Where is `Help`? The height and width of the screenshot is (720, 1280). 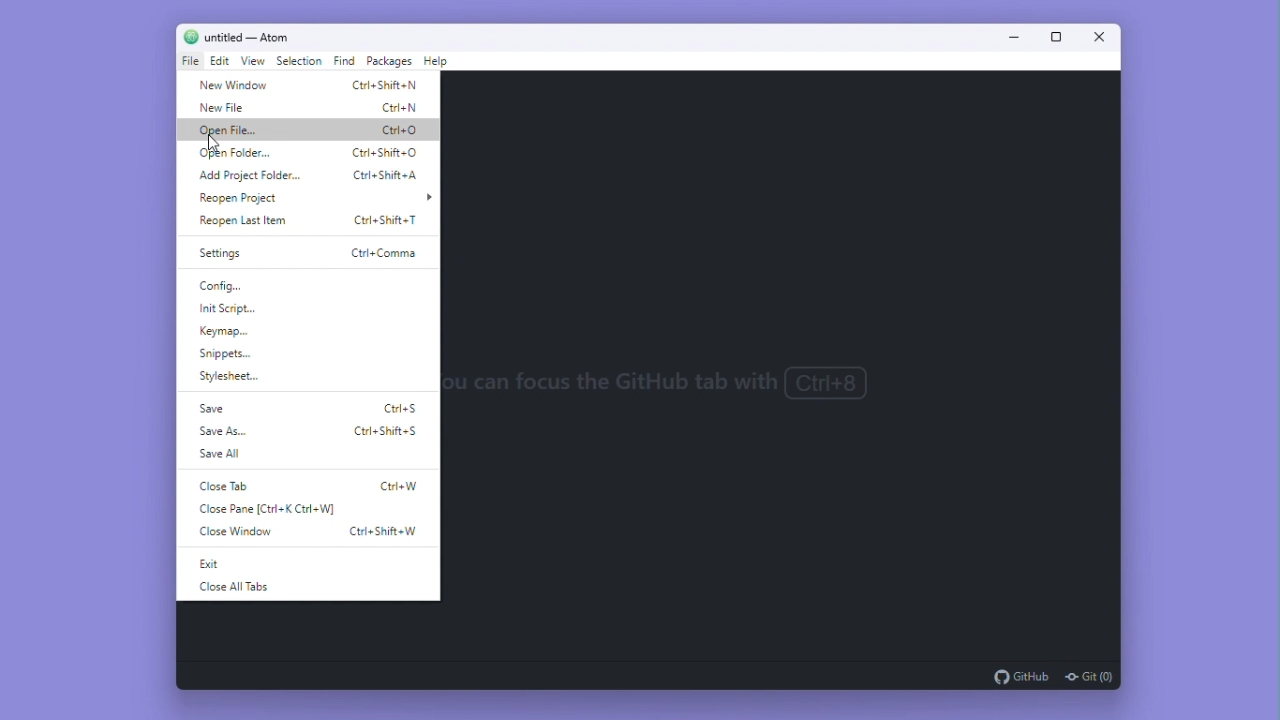 Help is located at coordinates (437, 64).